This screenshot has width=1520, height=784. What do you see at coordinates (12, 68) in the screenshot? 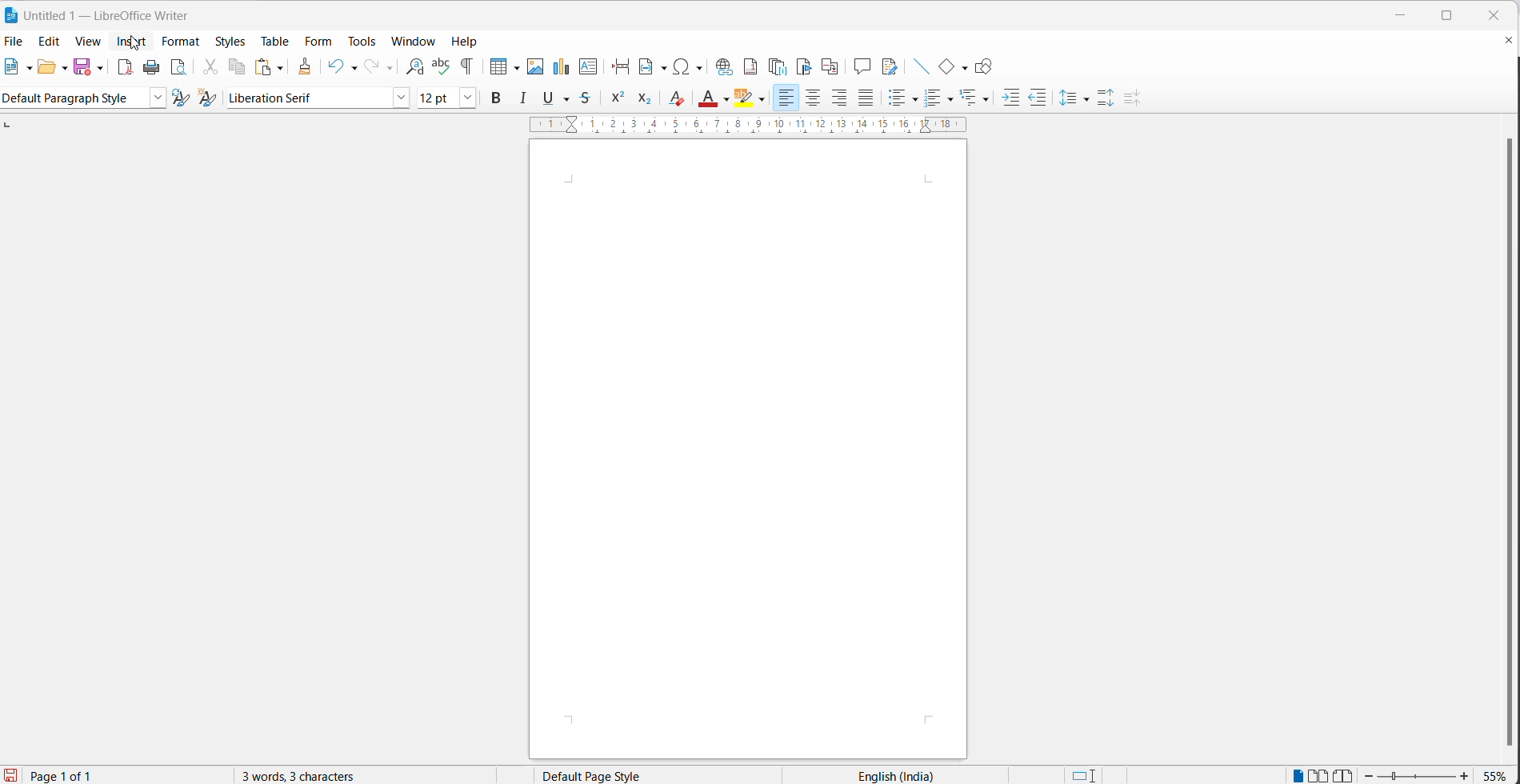
I see `new file` at bounding box center [12, 68].